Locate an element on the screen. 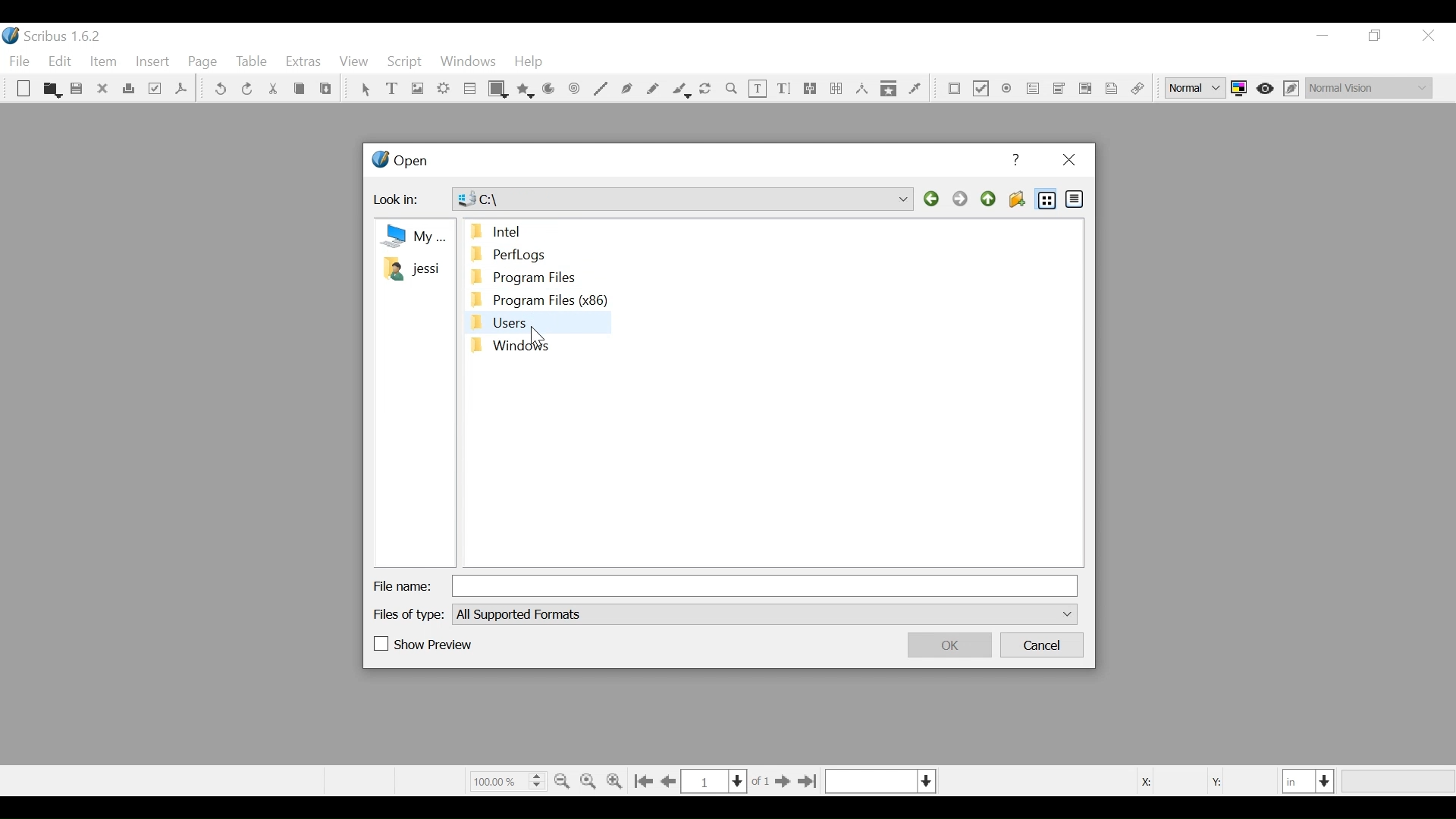  Save is located at coordinates (78, 90).